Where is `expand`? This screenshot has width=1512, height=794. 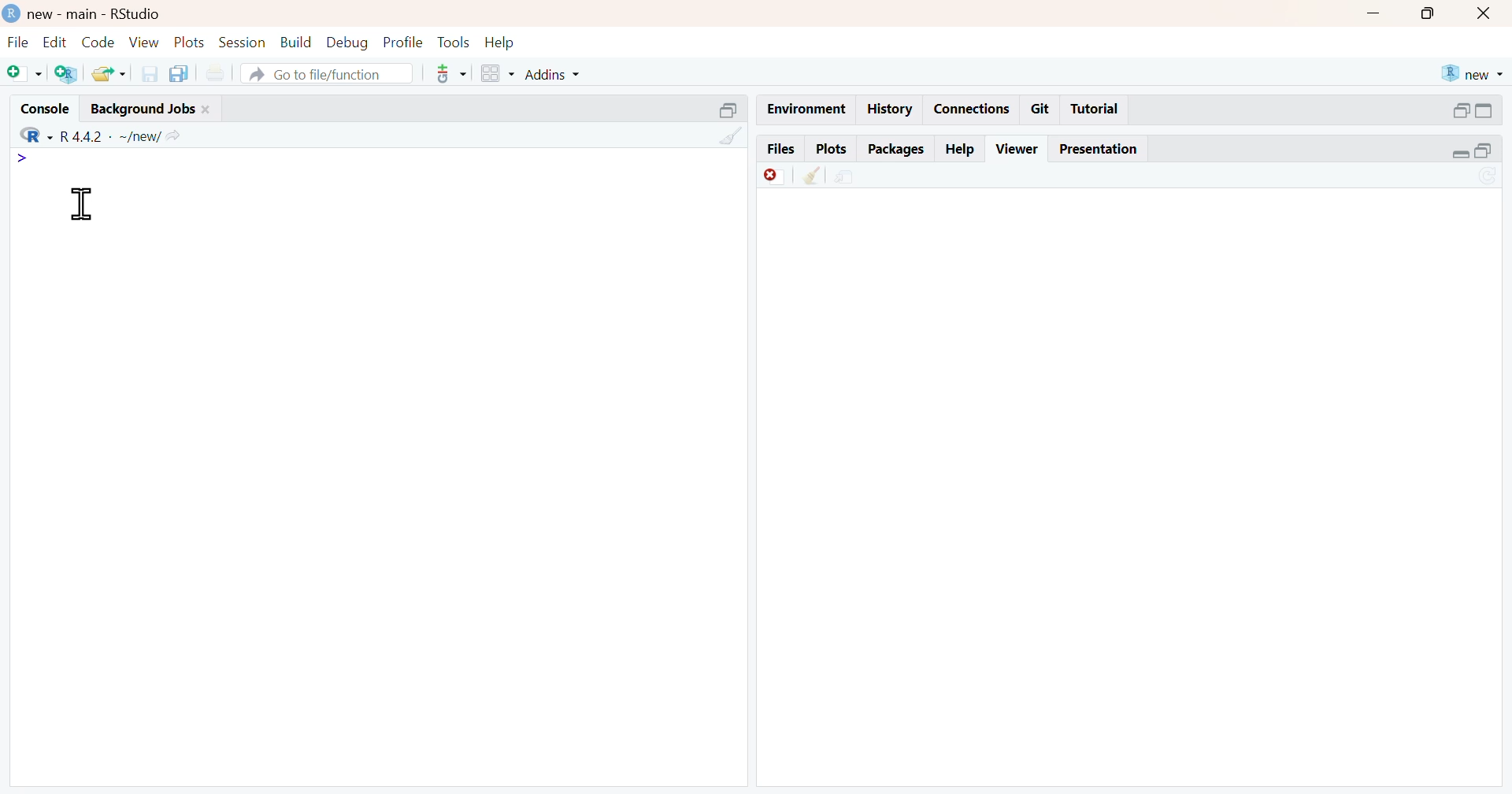
expand is located at coordinates (1459, 112).